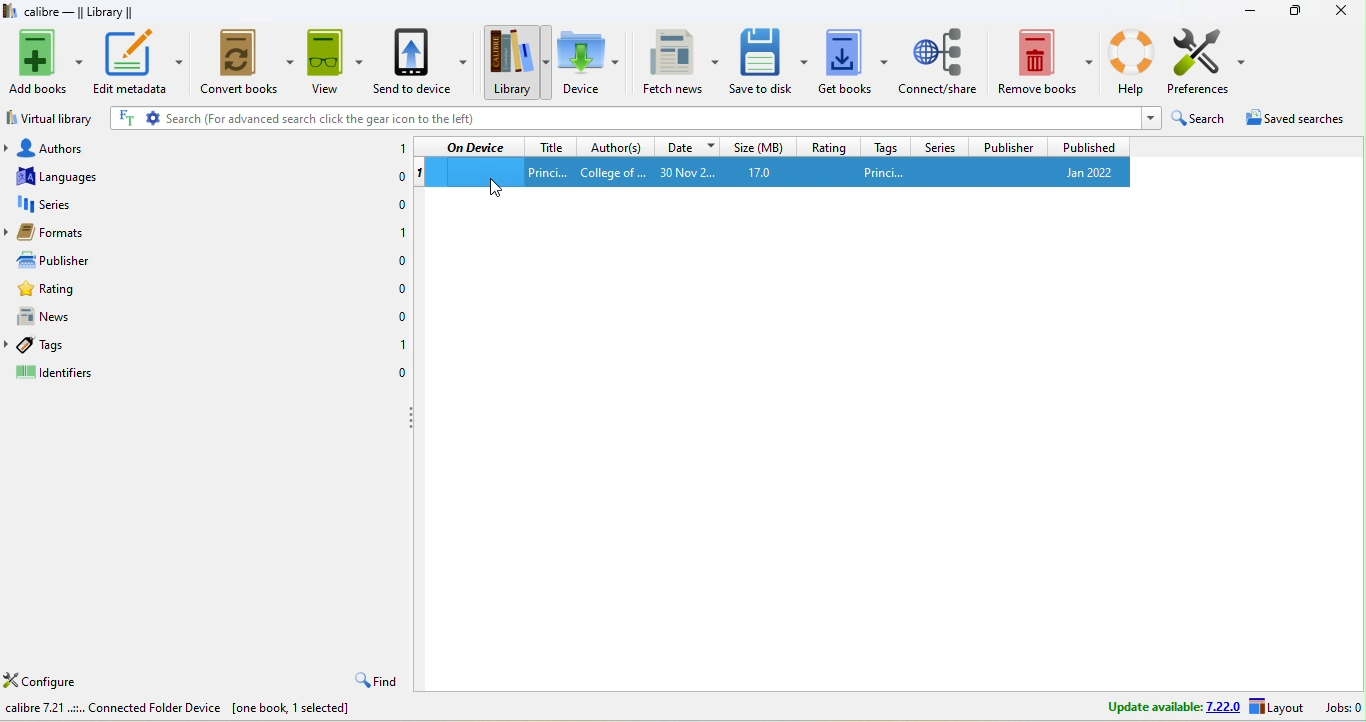 Image resolution: width=1366 pixels, height=722 pixels. What do you see at coordinates (62, 232) in the screenshot?
I see `formats` at bounding box center [62, 232].